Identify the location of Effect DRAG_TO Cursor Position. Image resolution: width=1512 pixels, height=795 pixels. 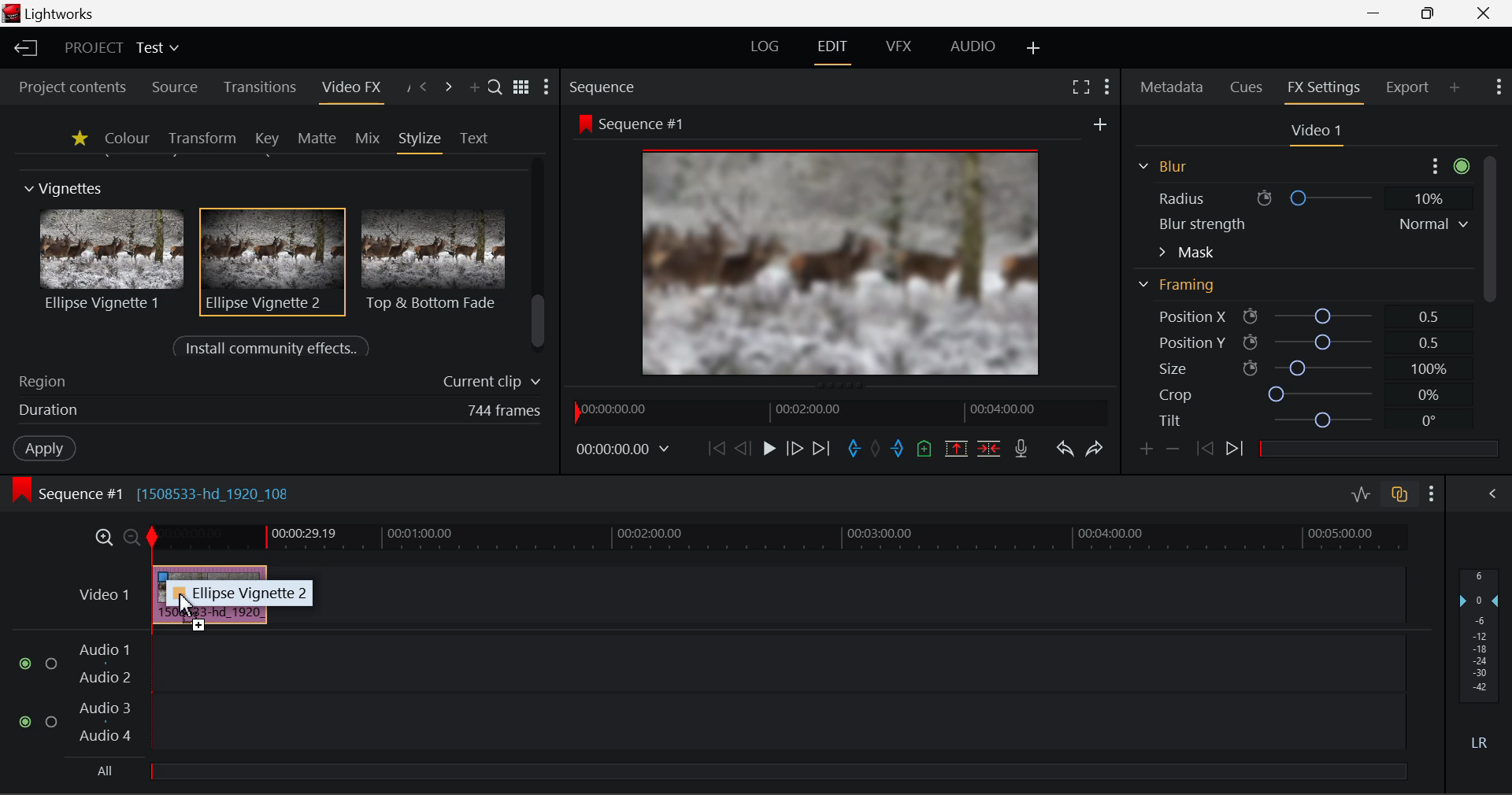
(181, 606).